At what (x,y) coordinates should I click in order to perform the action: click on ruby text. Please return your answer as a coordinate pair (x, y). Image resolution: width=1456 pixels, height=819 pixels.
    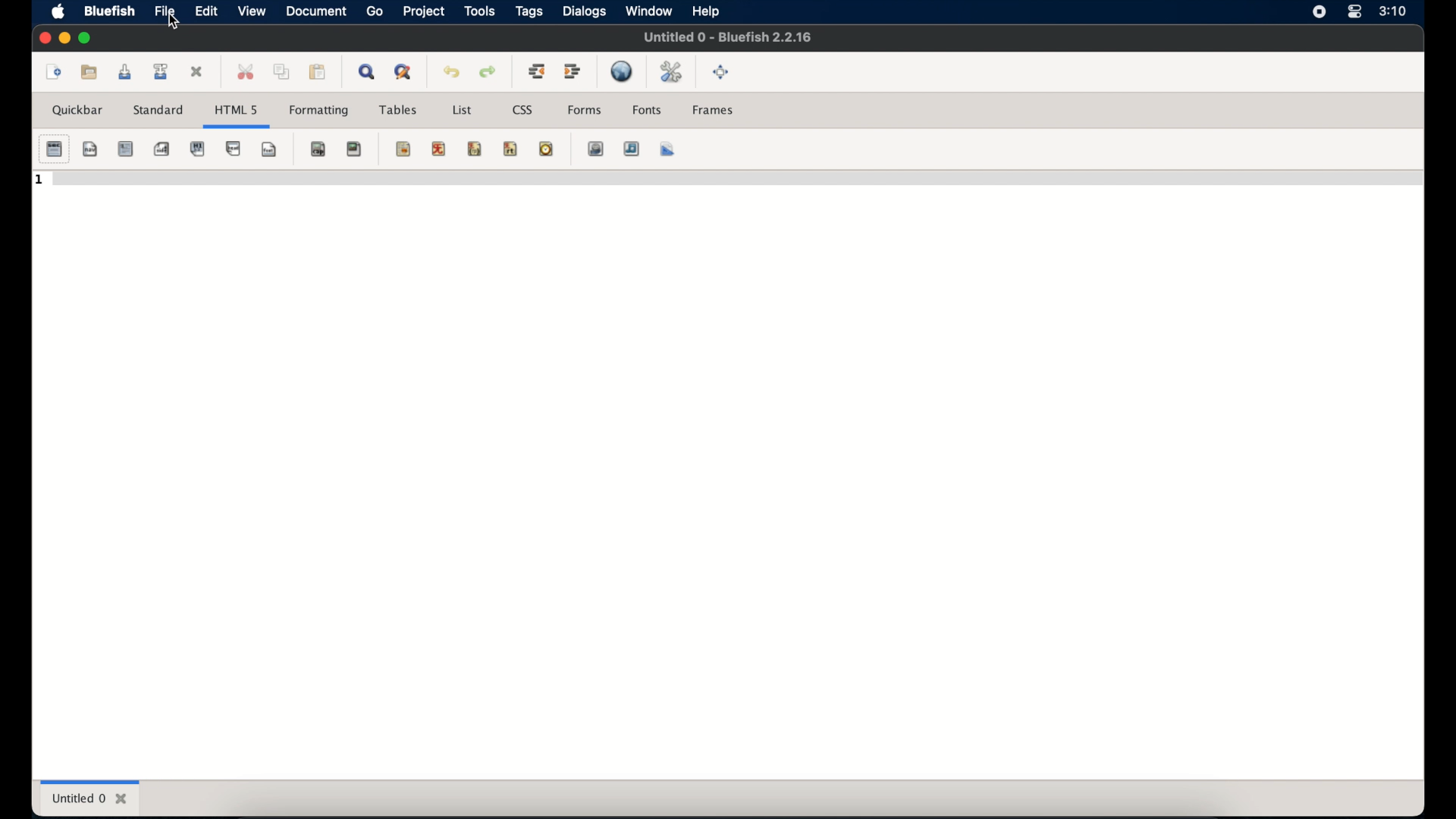
    Looking at the image, I should click on (510, 149).